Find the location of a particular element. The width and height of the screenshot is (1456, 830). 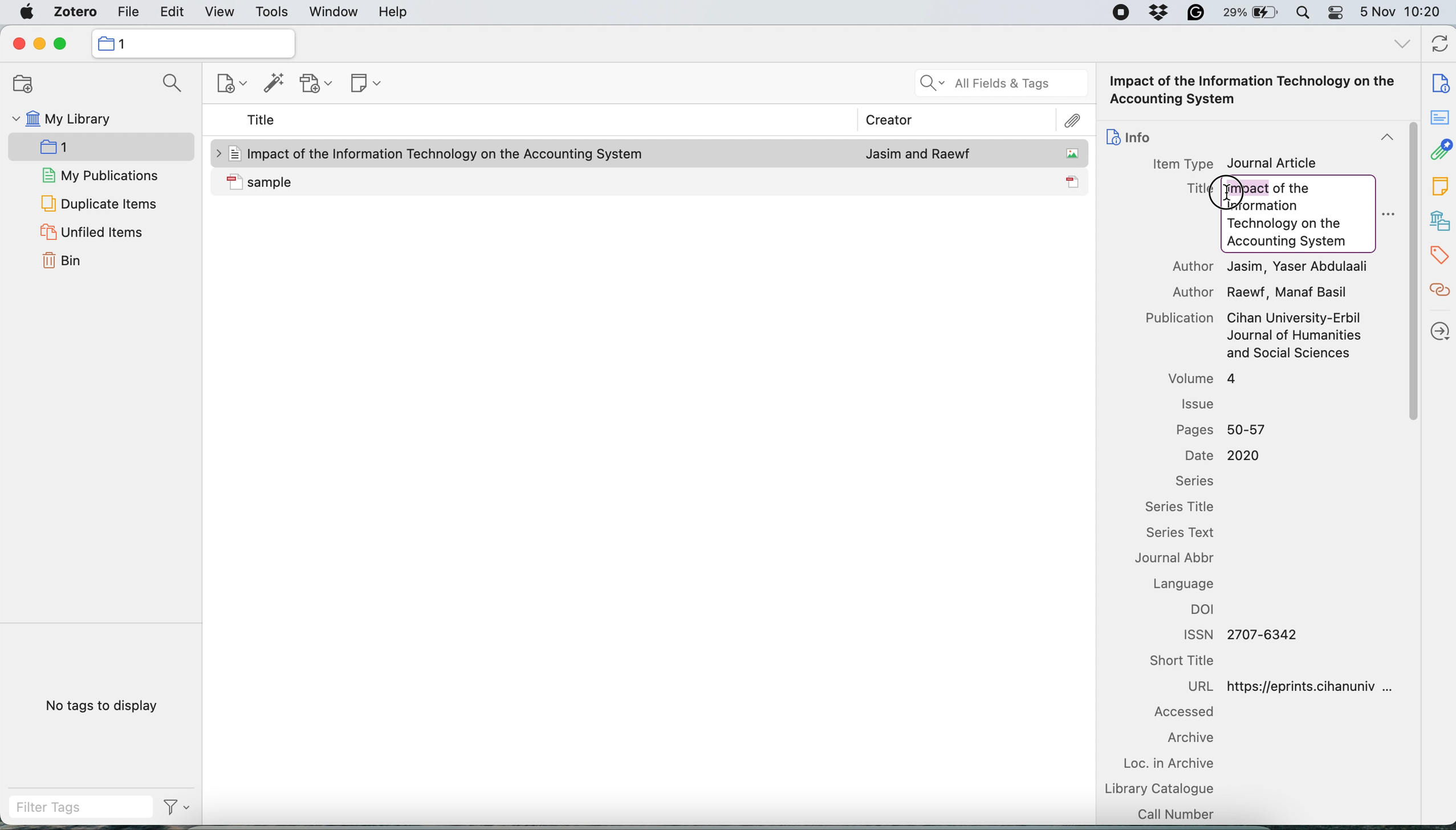

tools is located at coordinates (274, 12).